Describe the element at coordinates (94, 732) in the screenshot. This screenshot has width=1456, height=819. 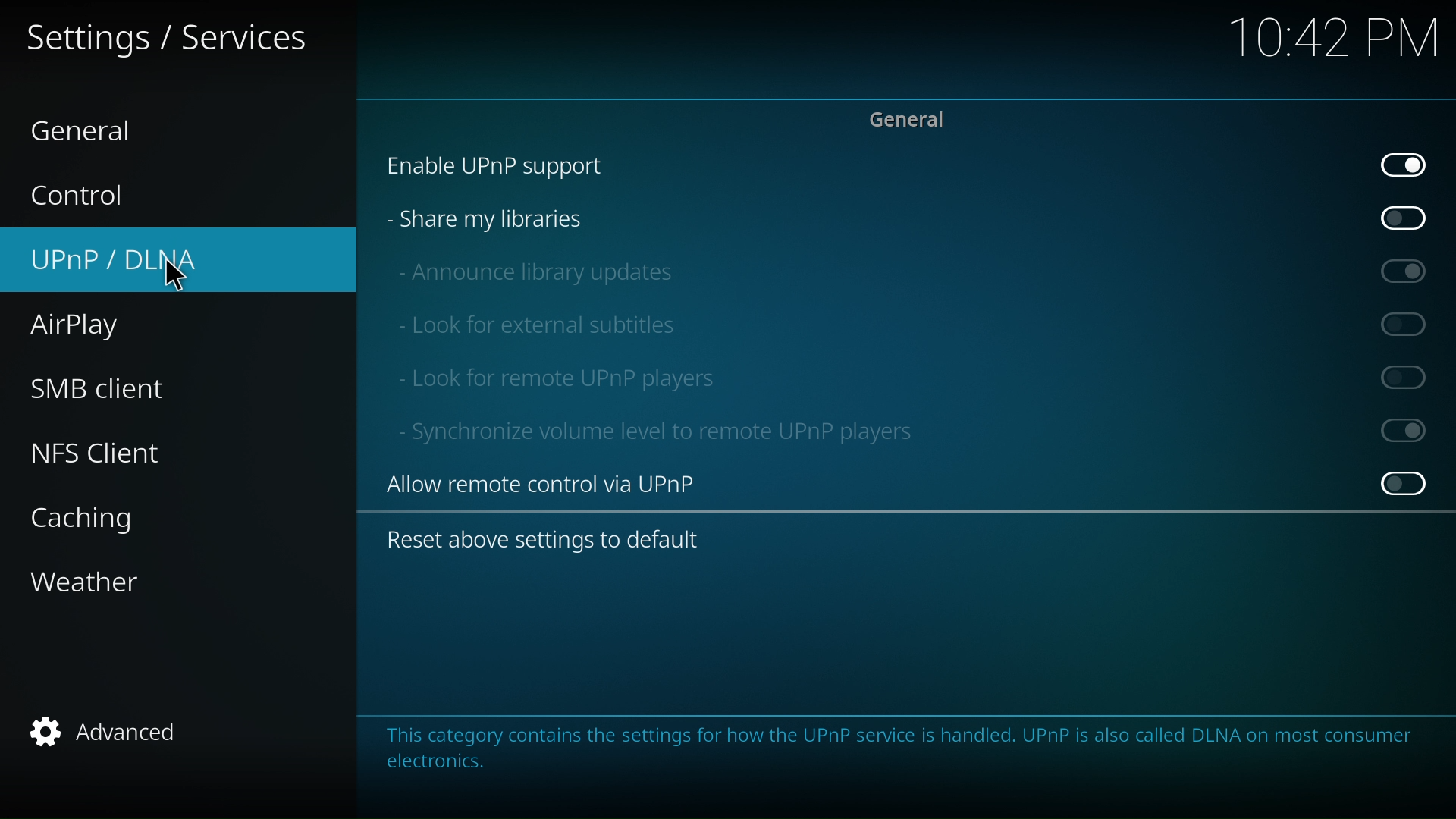
I see `advanced` at that location.